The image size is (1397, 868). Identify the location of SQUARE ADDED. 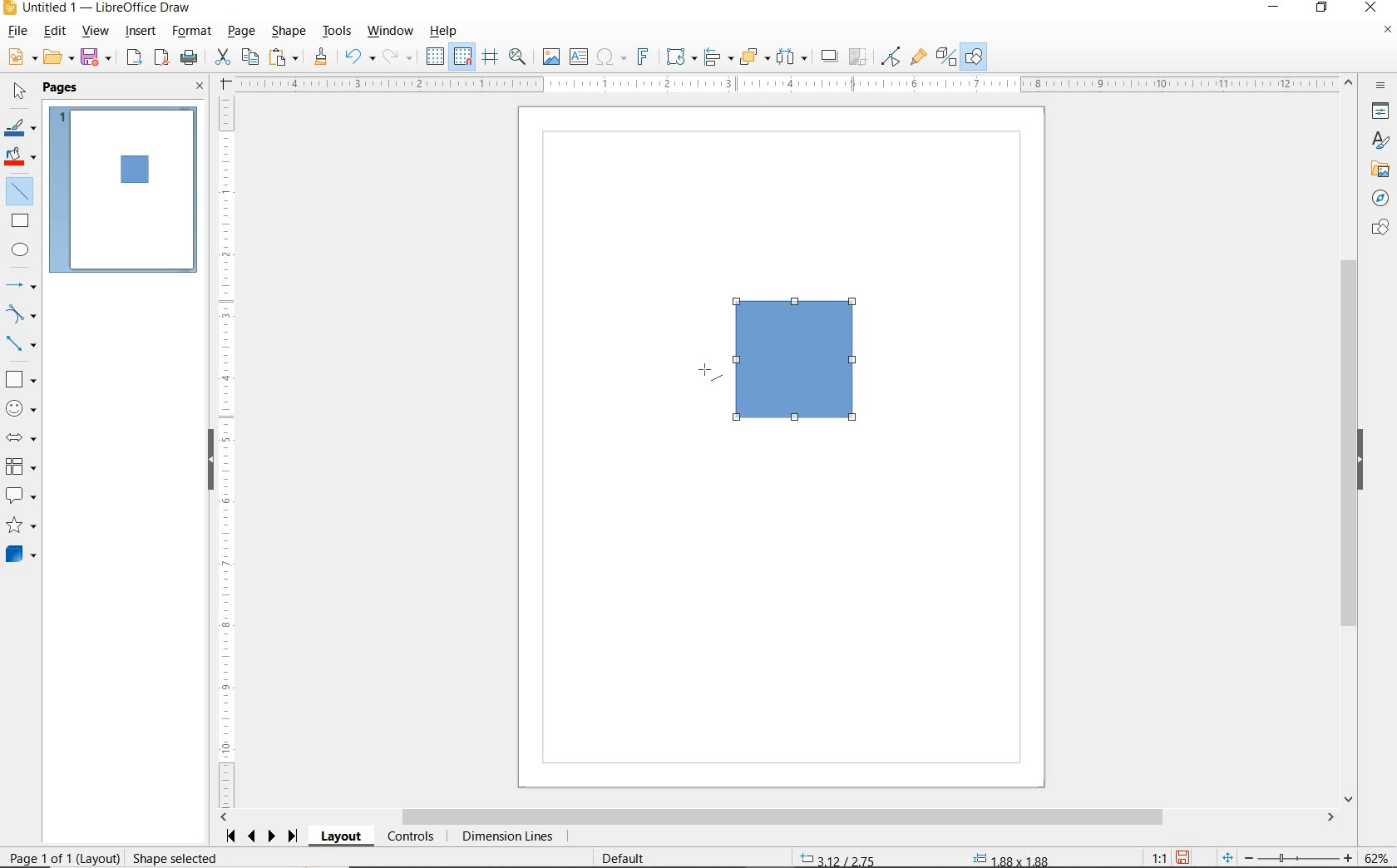
(132, 171).